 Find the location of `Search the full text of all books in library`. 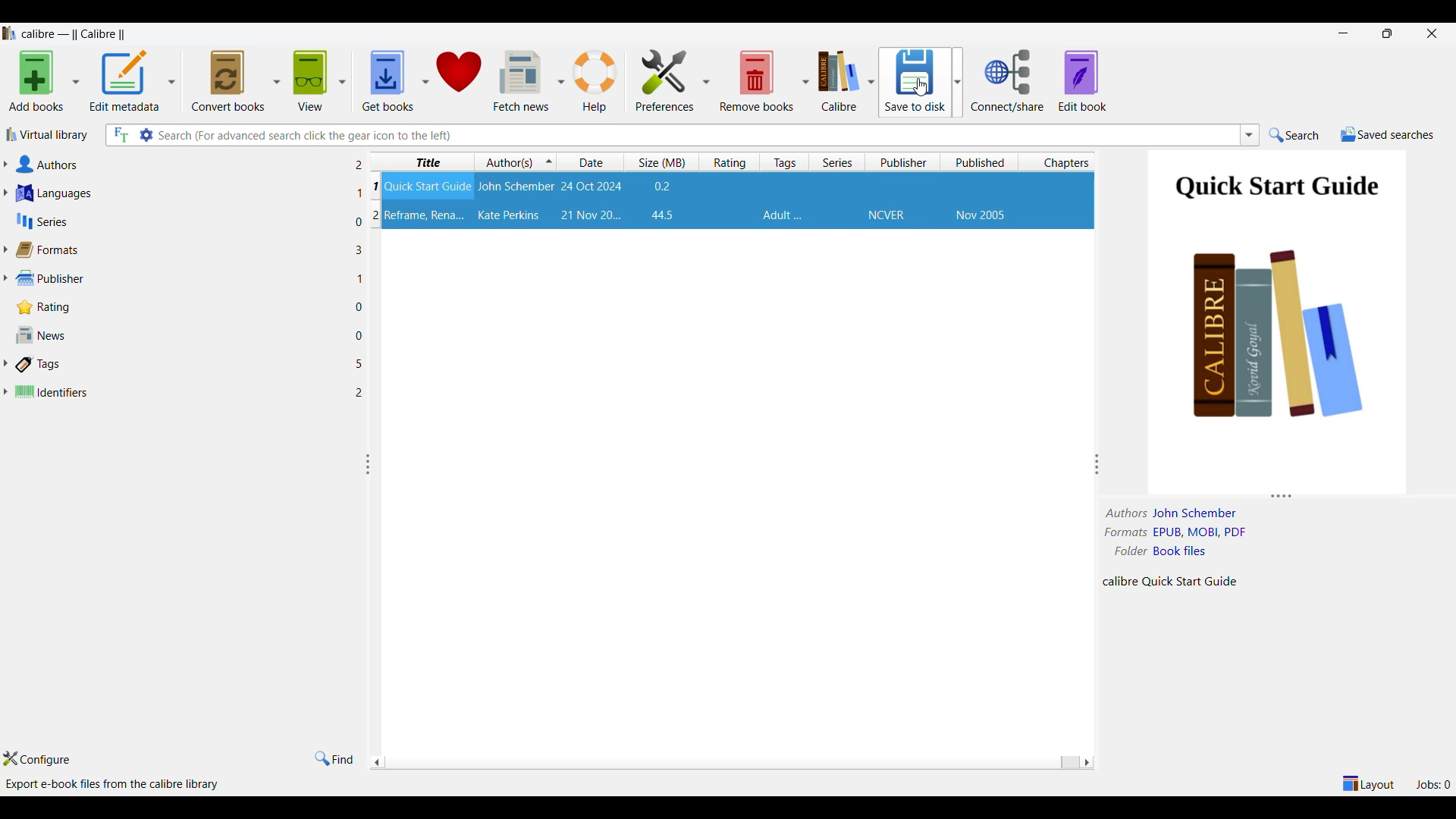

Search the full text of all books in library is located at coordinates (120, 135).